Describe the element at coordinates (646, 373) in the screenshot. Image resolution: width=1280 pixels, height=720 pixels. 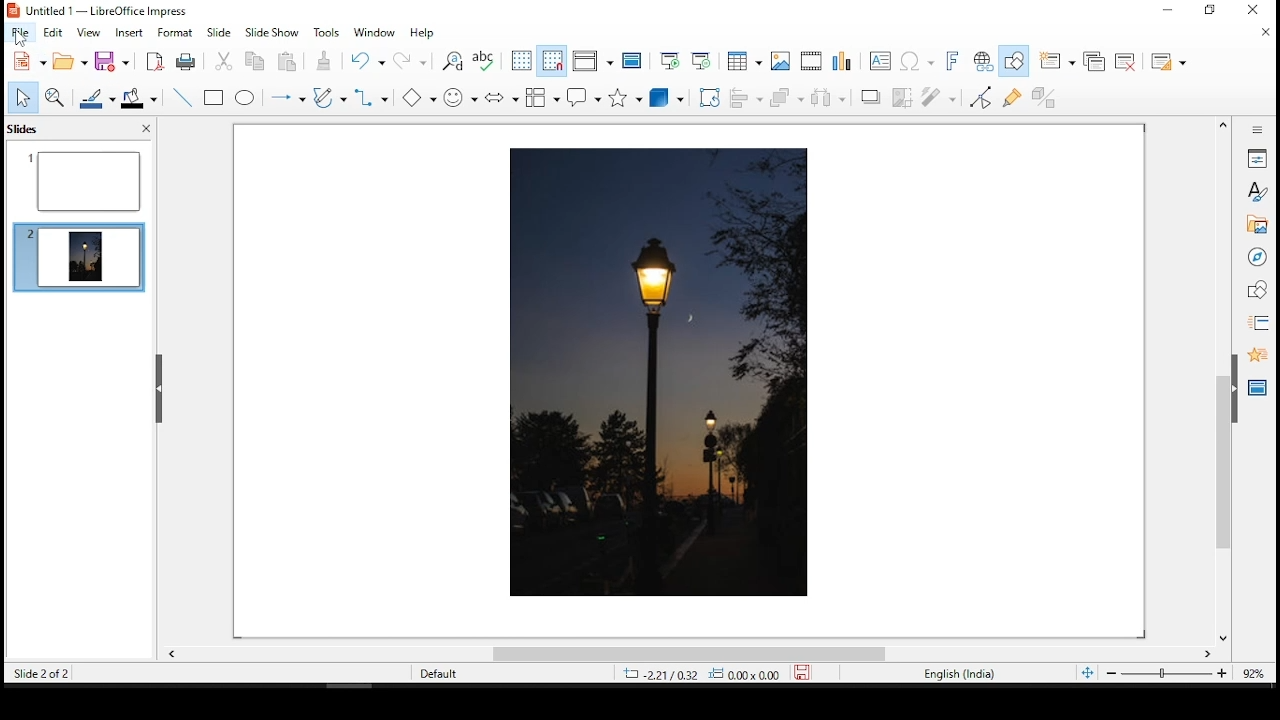
I see `image` at that location.